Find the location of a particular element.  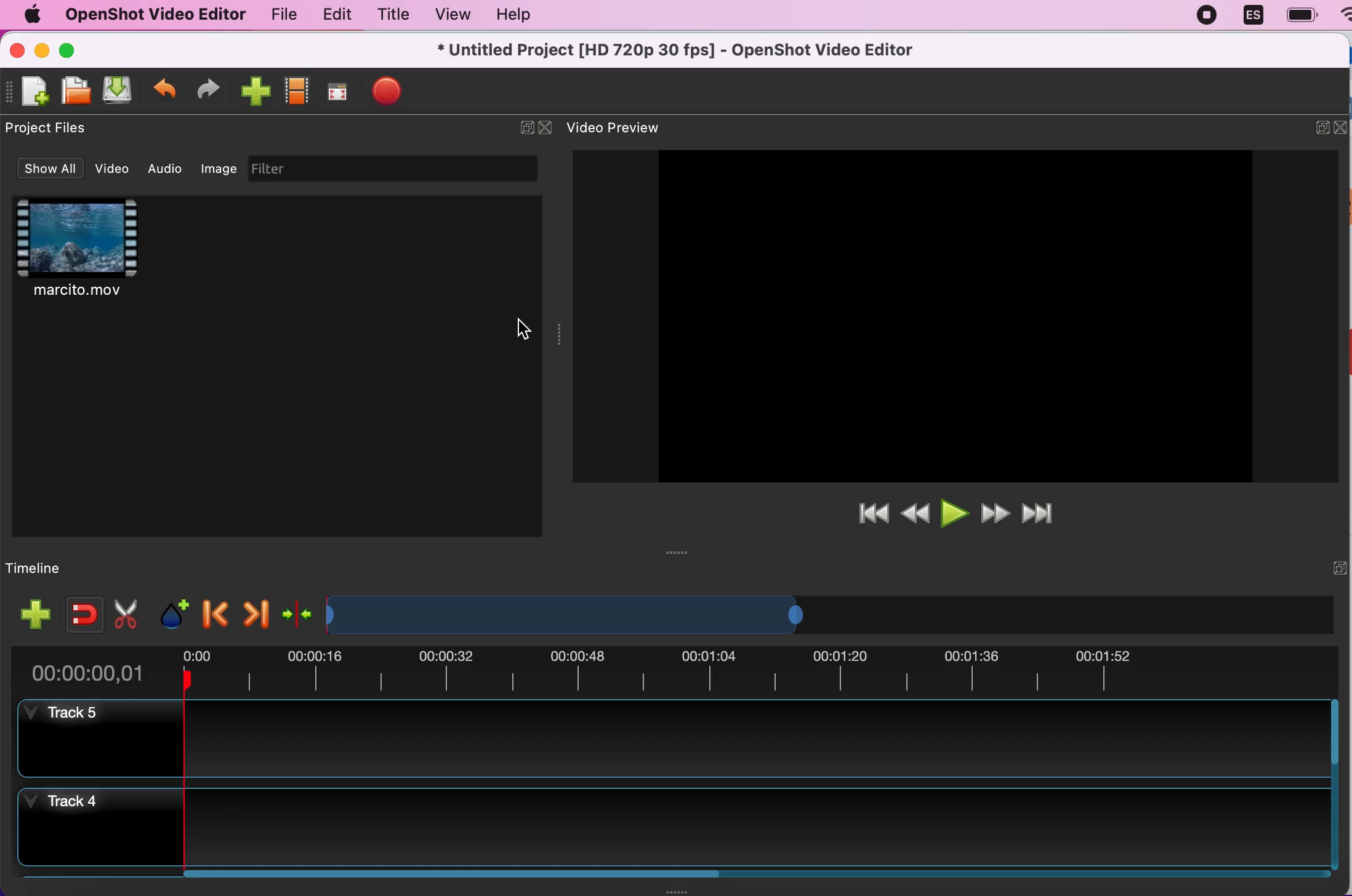

title is located at coordinates (683, 51).